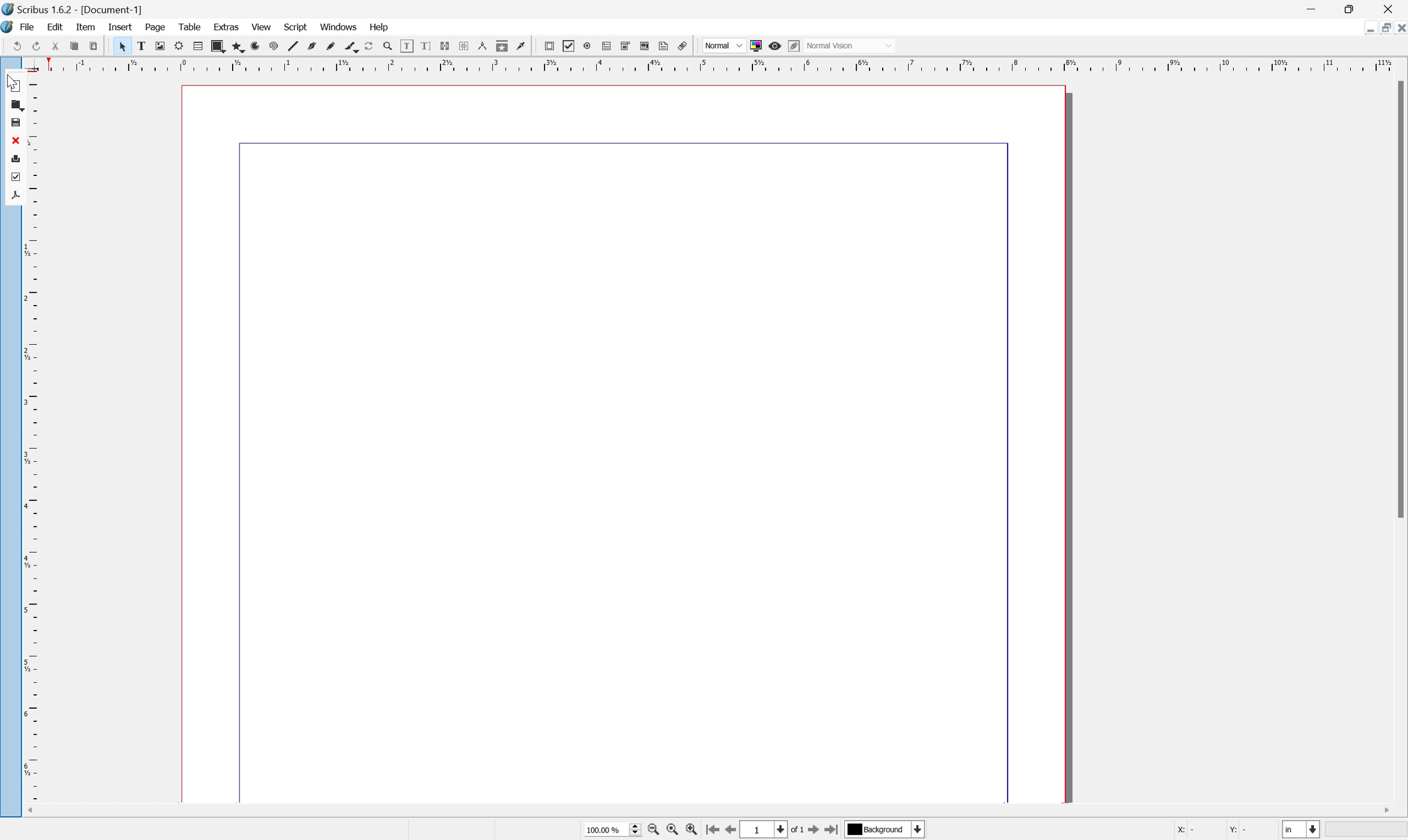  I want to click on Scroll bar, so click(1399, 298).